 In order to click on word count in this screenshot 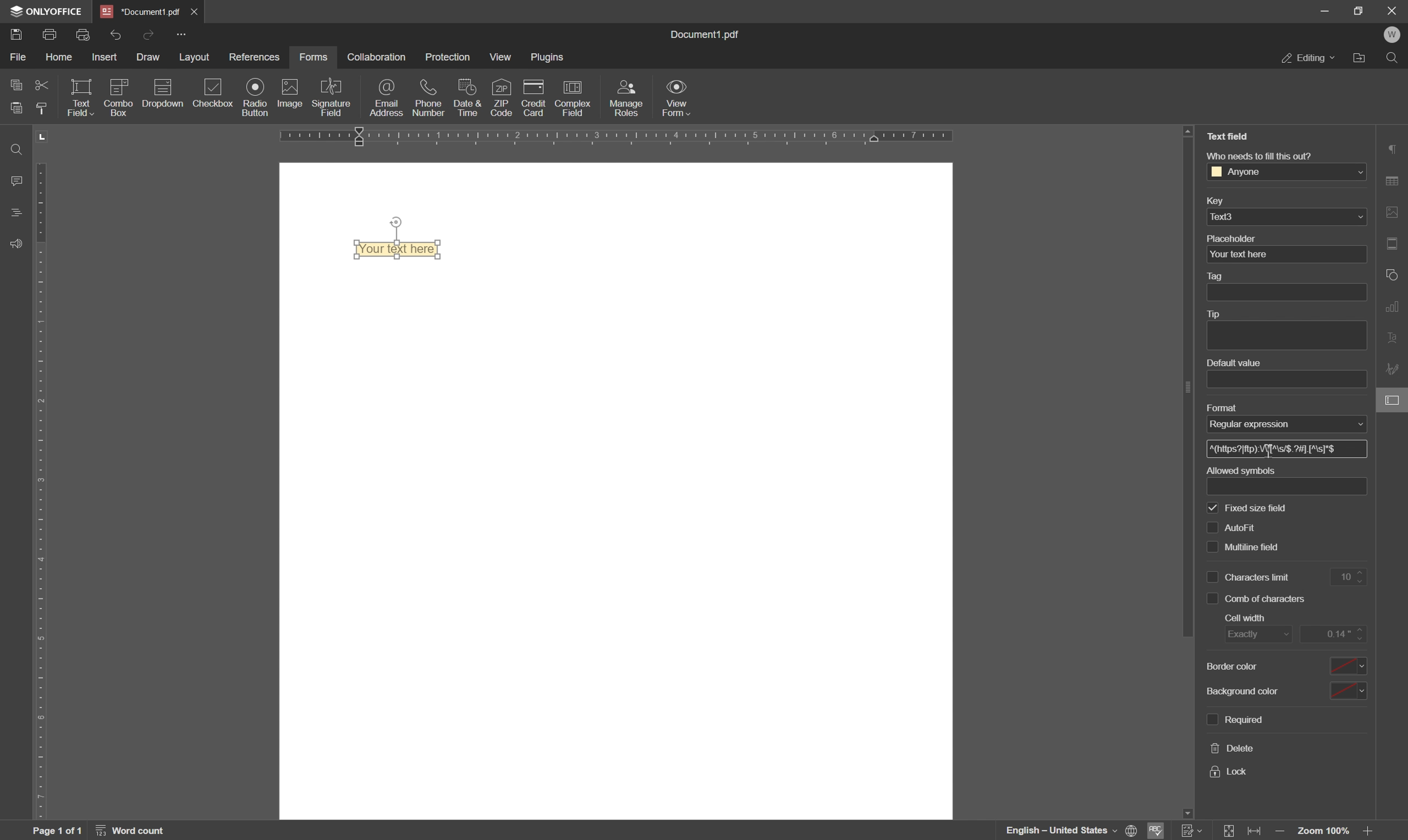, I will do `click(134, 830)`.